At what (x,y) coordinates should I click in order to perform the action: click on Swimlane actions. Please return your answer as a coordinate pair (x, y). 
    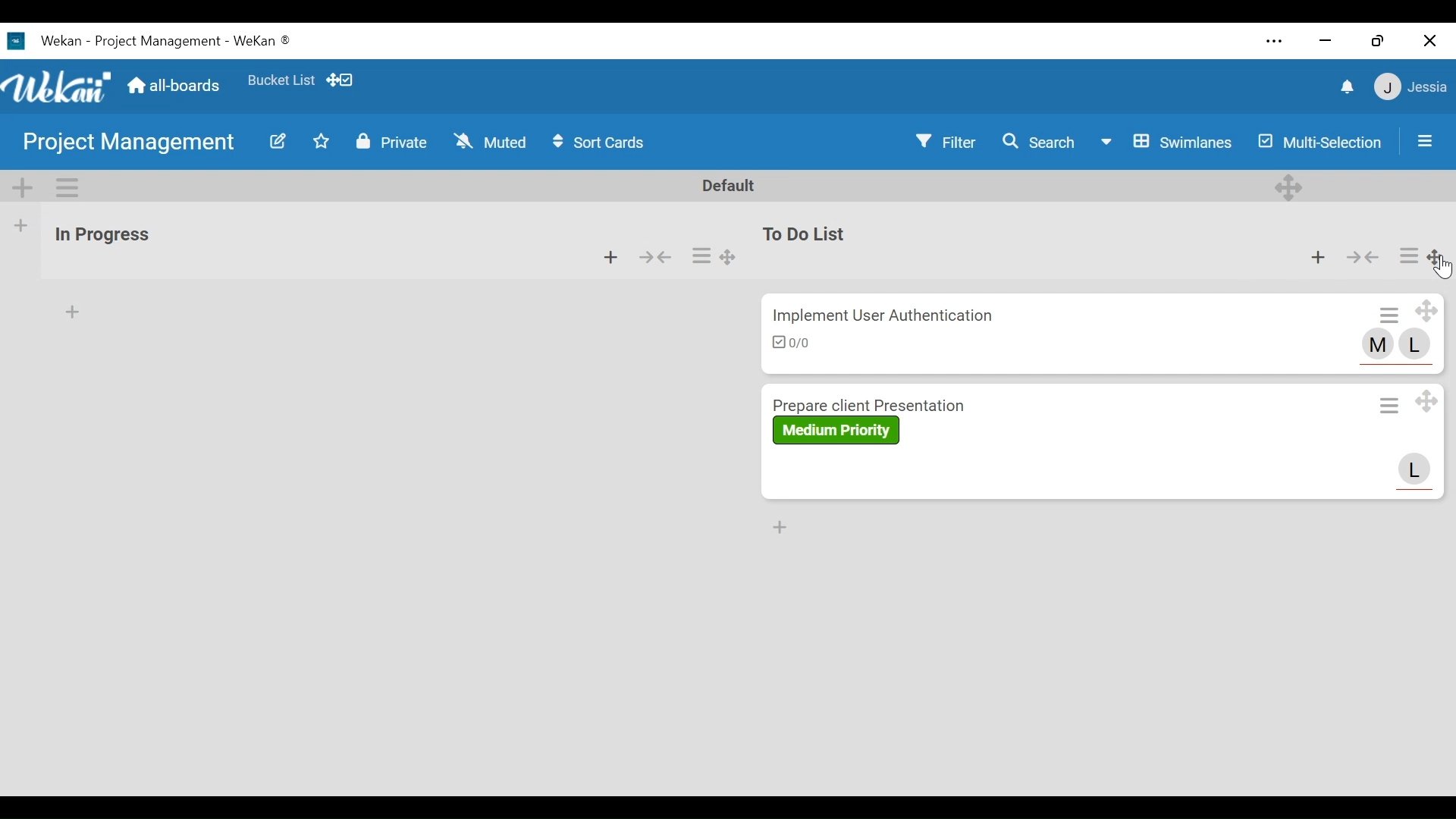
    Looking at the image, I should click on (66, 187).